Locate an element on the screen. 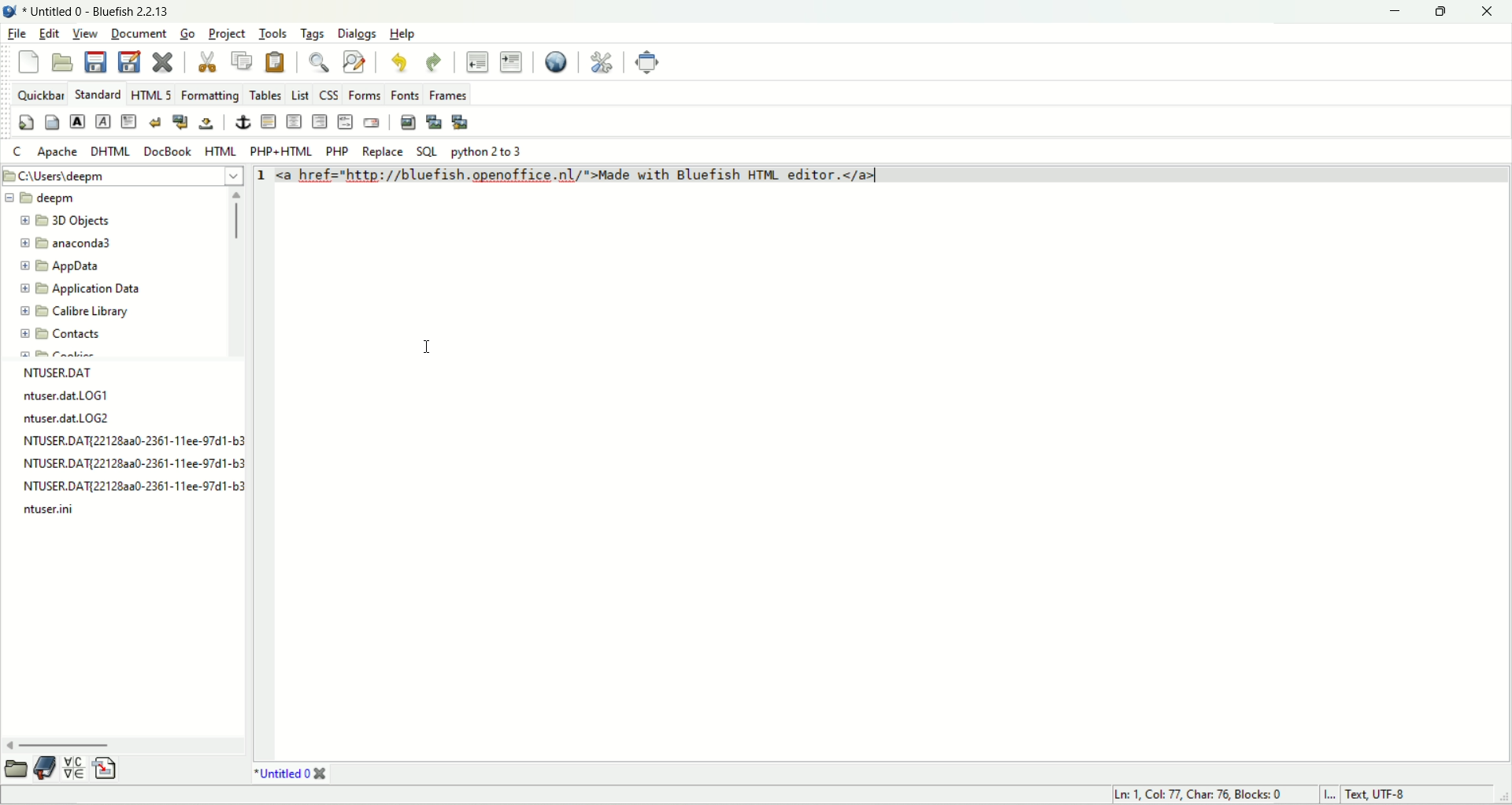 The height and width of the screenshot is (805, 1512). body is located at coordinates (52, 124).